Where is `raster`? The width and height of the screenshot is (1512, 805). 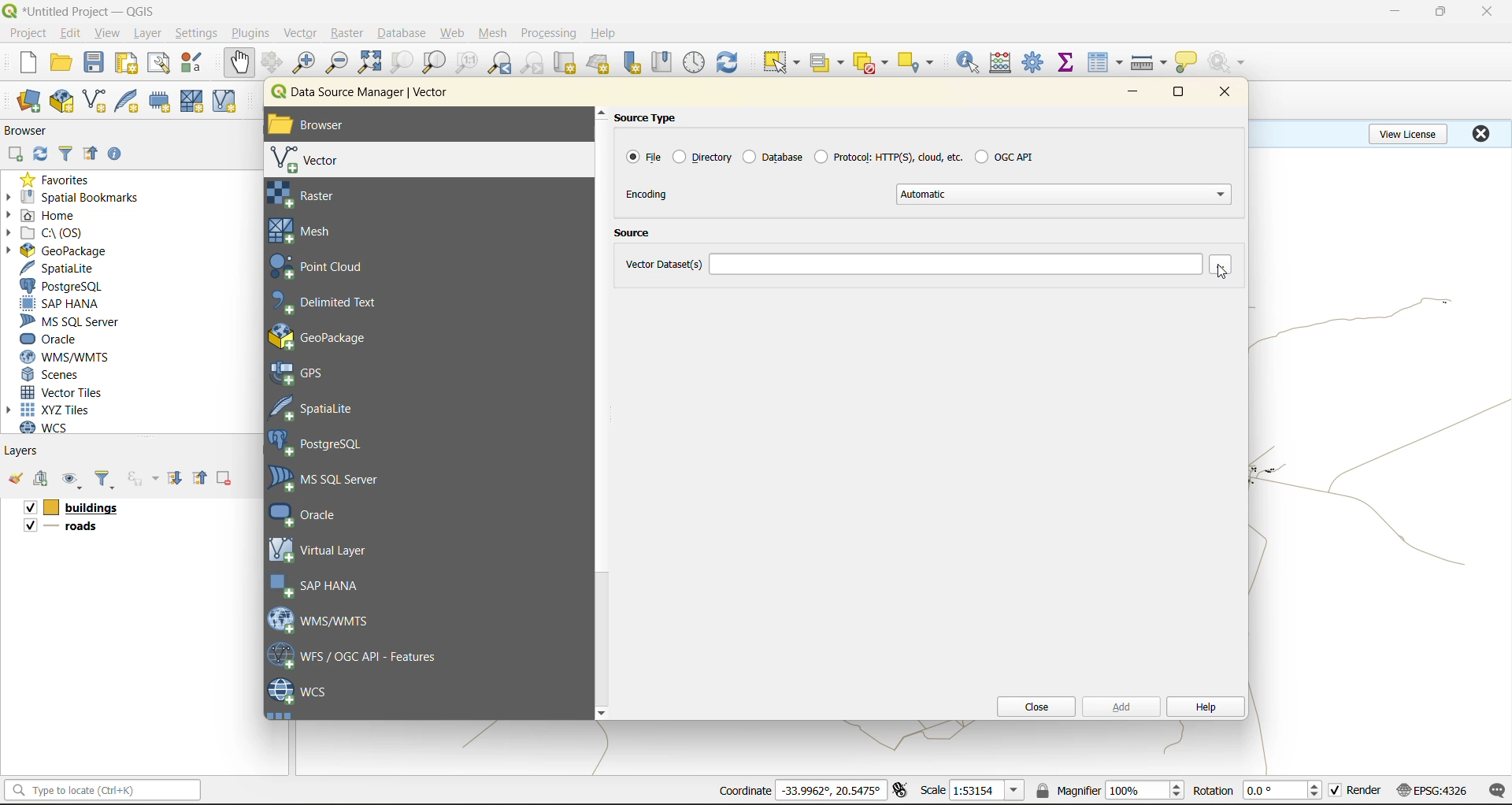 raster is located at coordinates (329, 195).